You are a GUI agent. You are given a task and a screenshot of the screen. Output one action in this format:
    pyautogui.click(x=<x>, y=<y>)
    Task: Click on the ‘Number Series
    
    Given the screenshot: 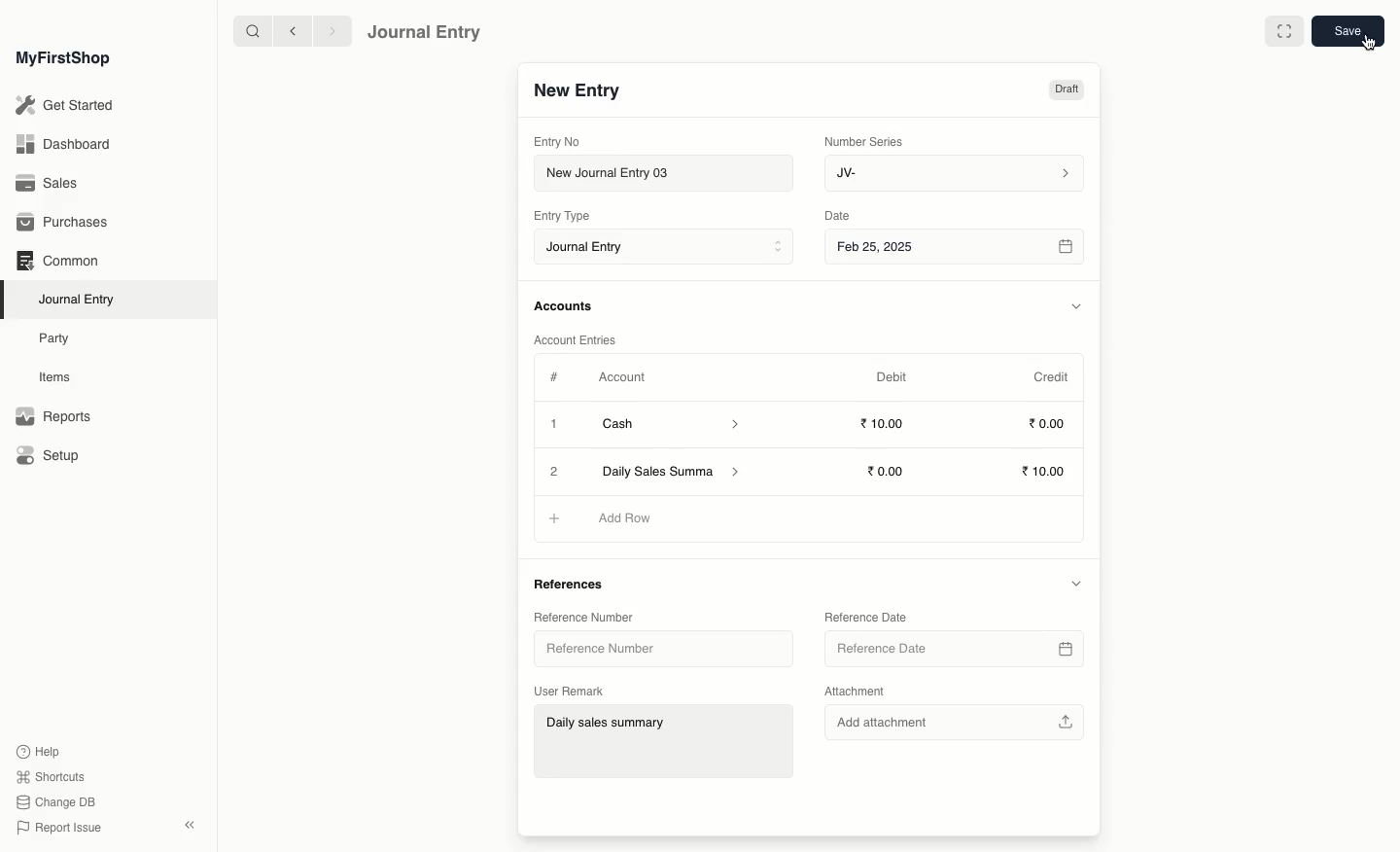 What is the action you would take?
    pyautogui.click(x=864, y=140)
    